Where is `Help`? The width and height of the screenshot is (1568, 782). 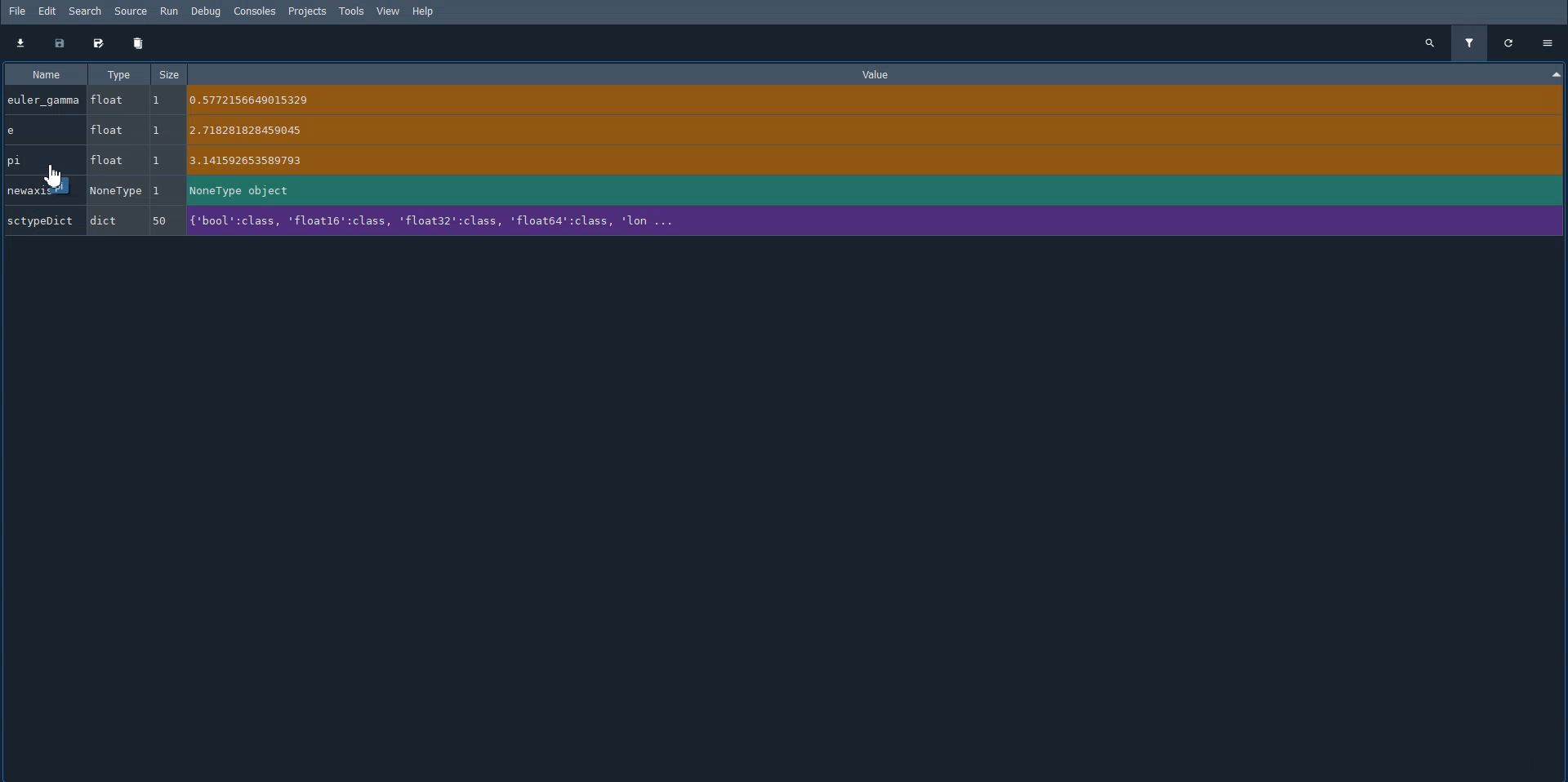
Help is located at coordinates (423, 12).